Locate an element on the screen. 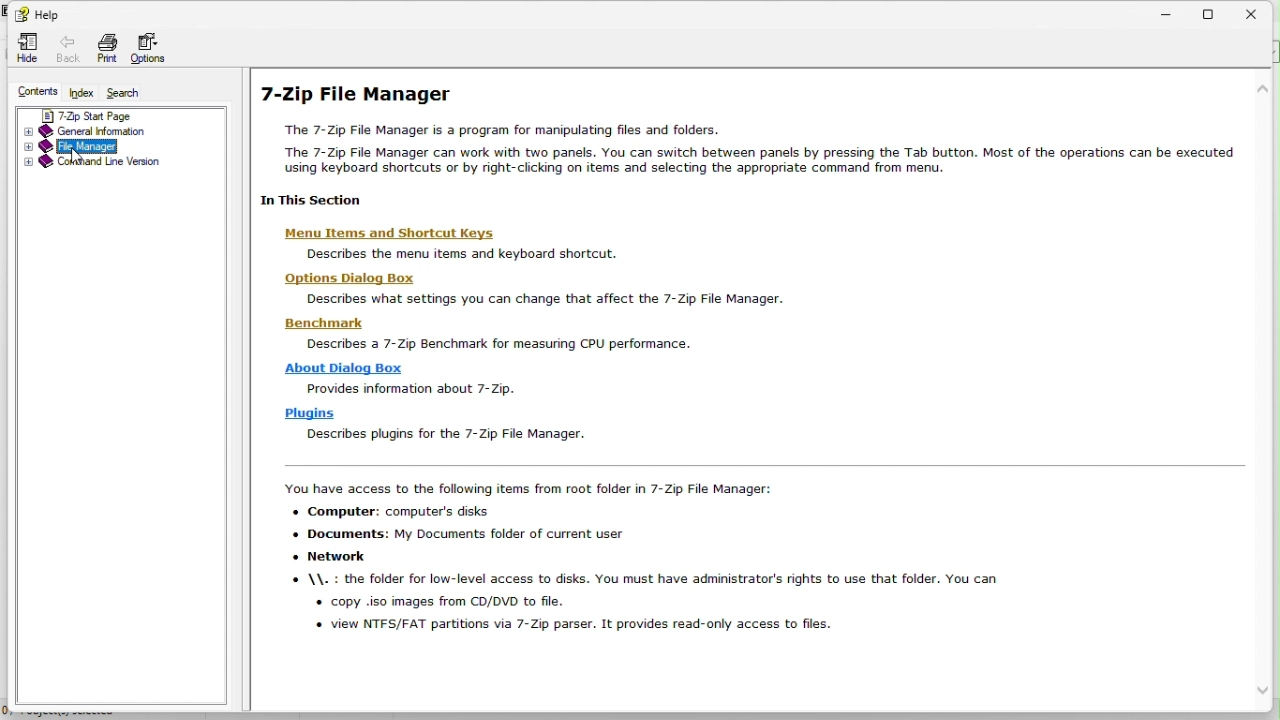 The height and width of the screenshot is (720, 1280). index is located at coordinates (83, 94).